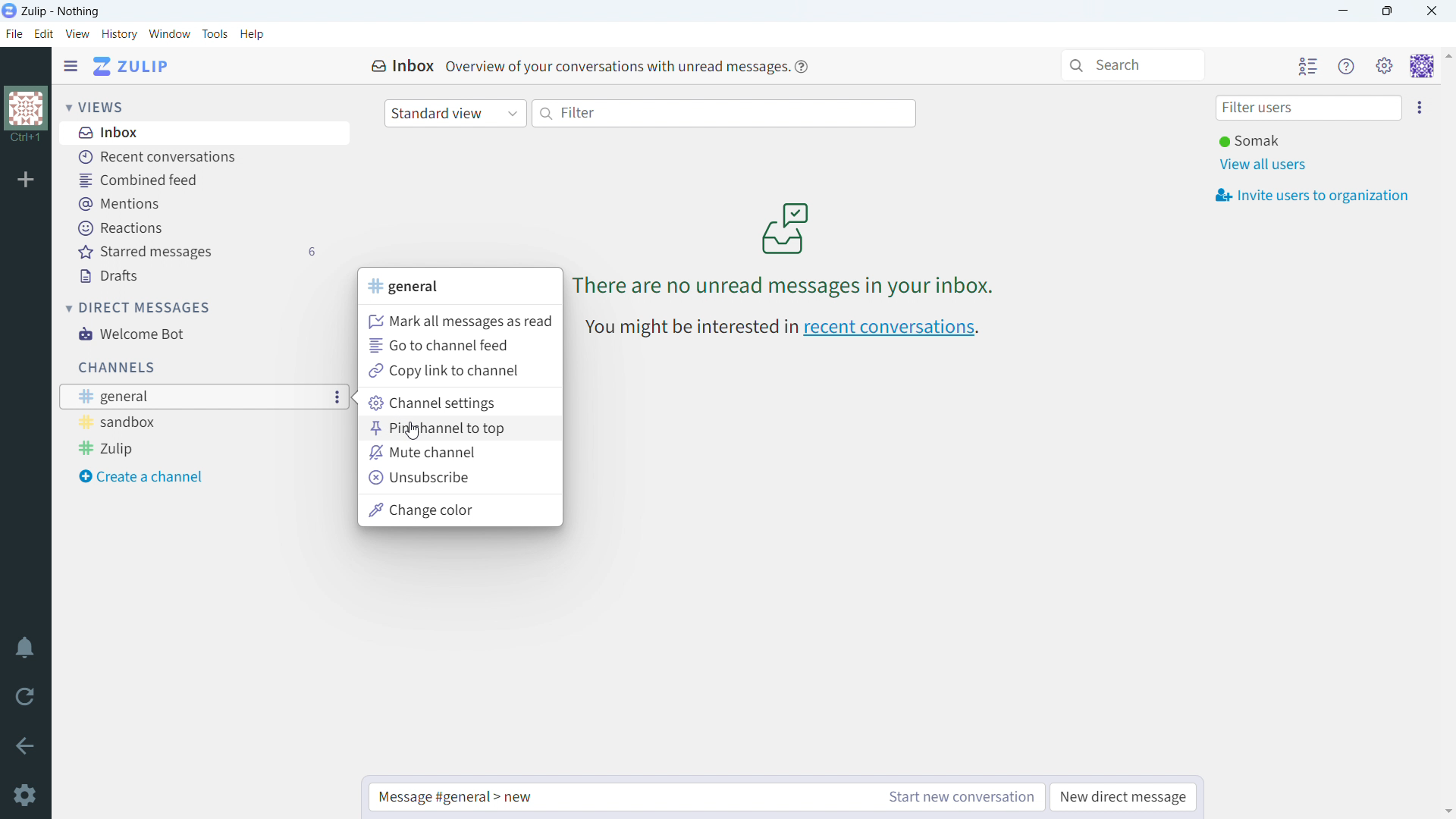  What do you see at coordinates (1344, 11) in the screenshot?
I see `minimize` at bounding box center [1344, 11].